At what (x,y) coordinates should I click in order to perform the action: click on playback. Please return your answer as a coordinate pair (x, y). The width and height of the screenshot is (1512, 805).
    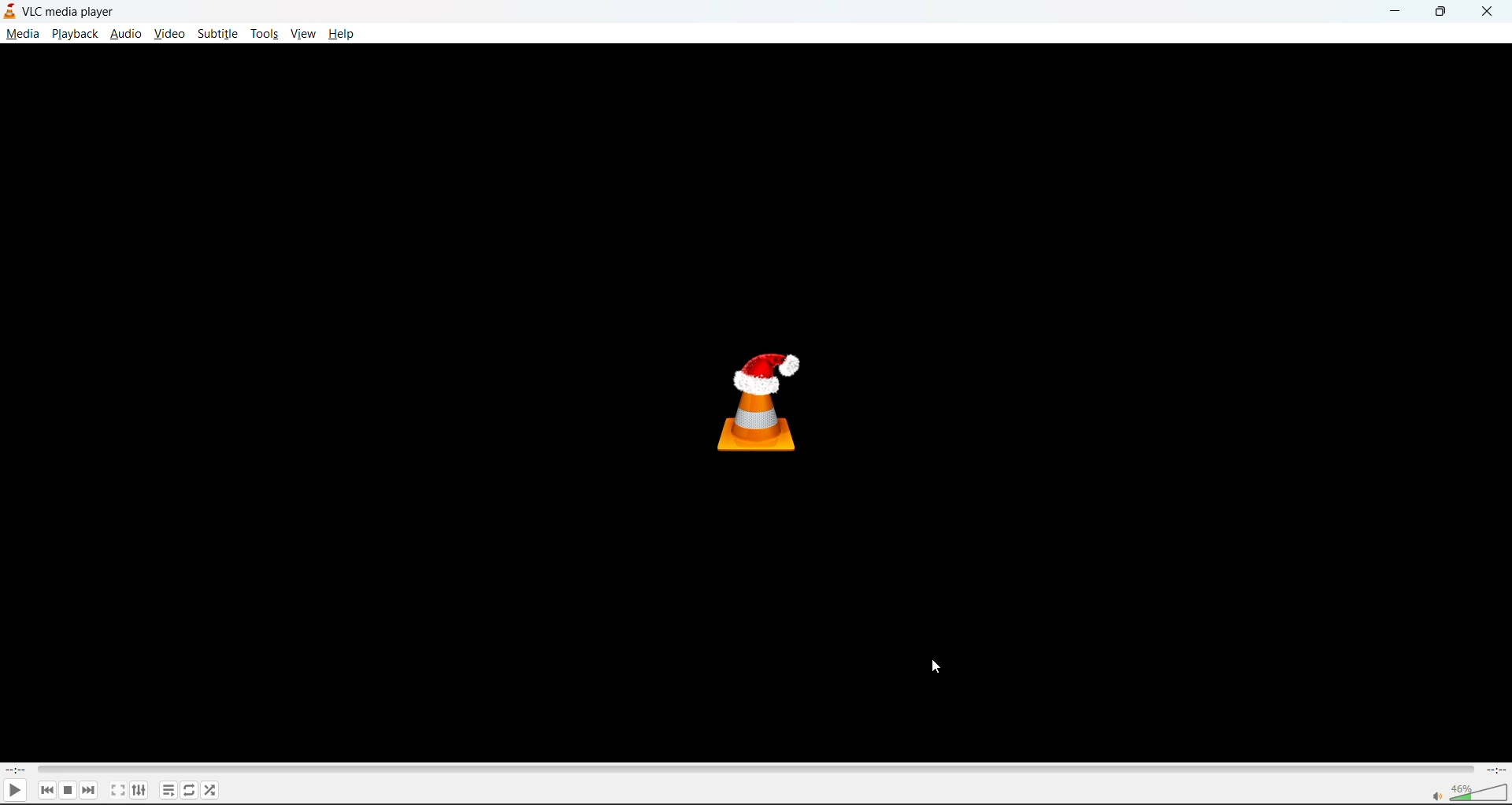
    Looking at the image, I should click on (76, 34).